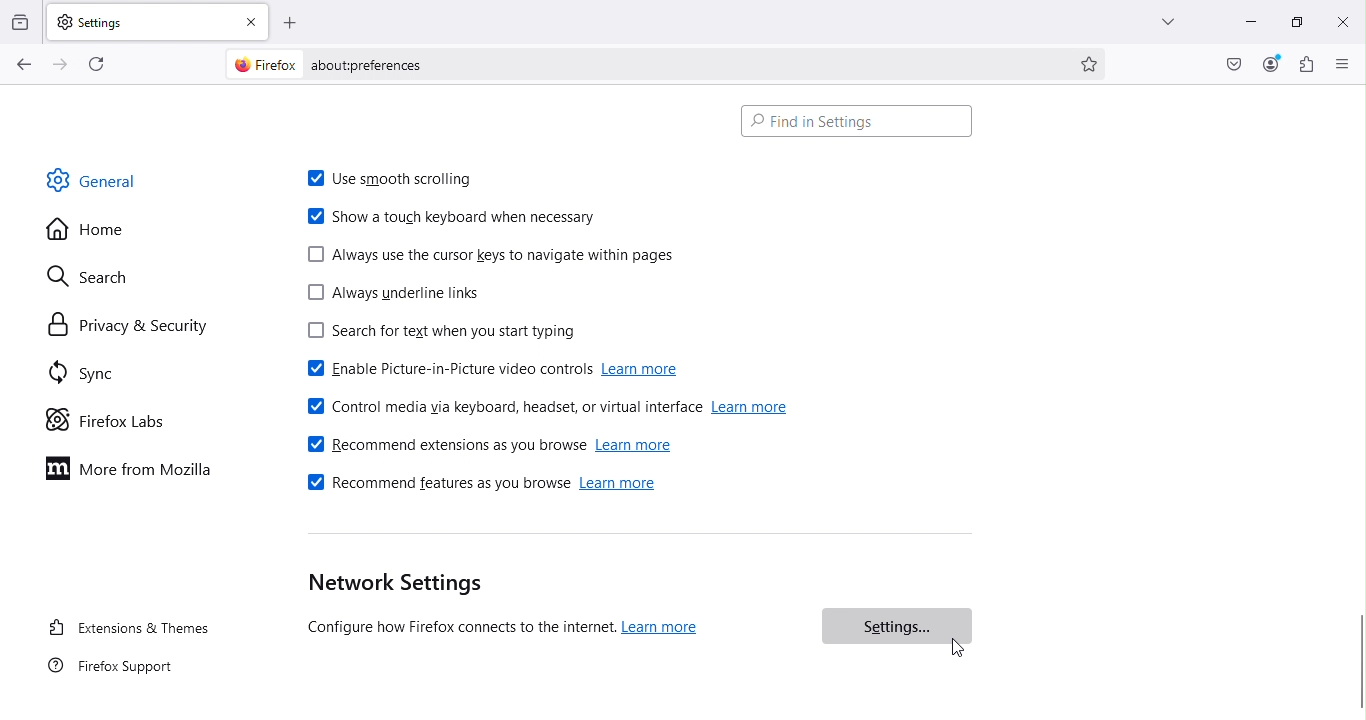 Image resolution: width=1366 pixels, height=720 pixels. I want to click on Sync, so click(111, 376).